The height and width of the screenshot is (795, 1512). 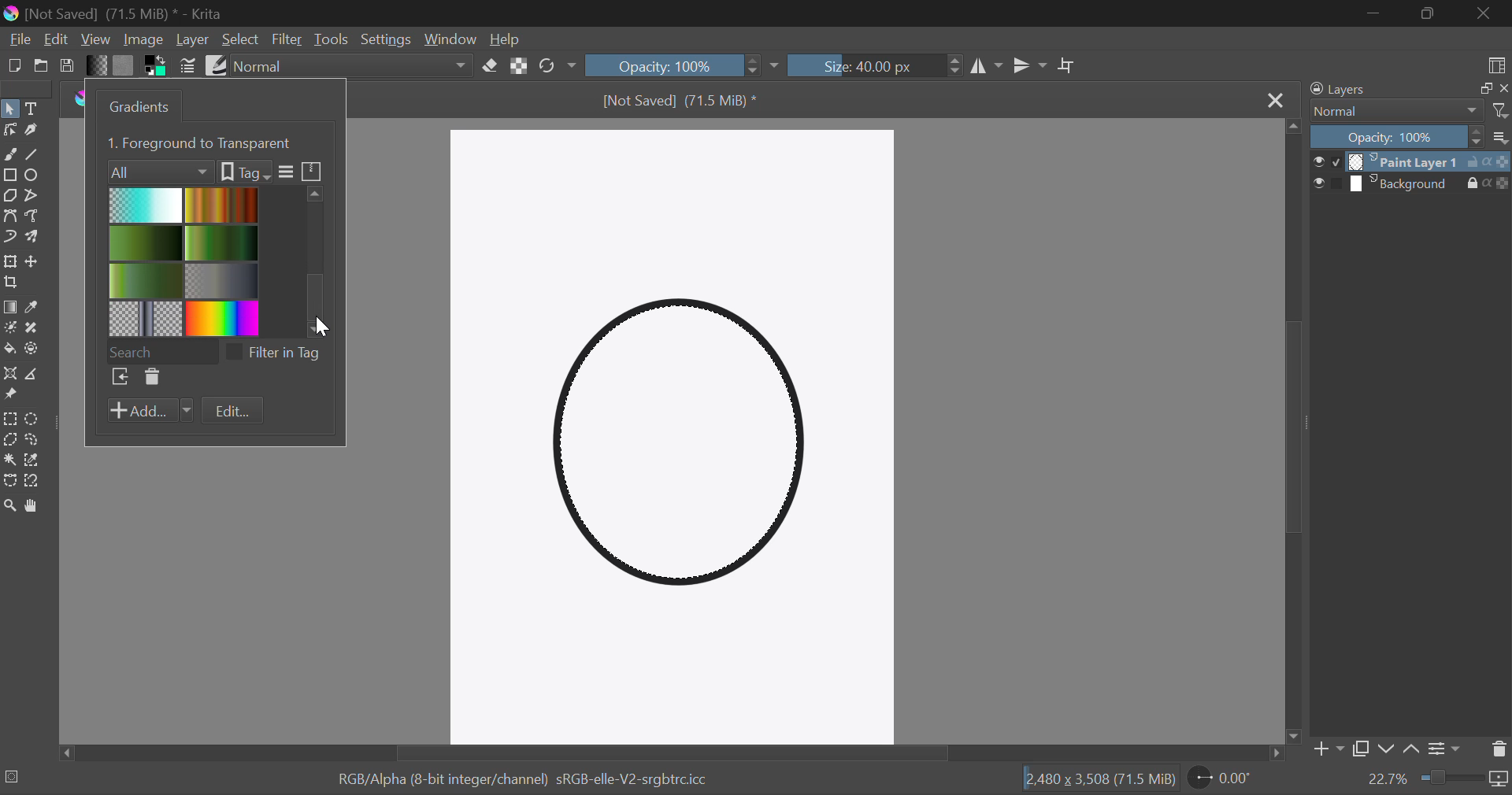 What do you see at coordinates (145, 41) in the screenshot?
I see `Image` at bounding box center [145, 41].